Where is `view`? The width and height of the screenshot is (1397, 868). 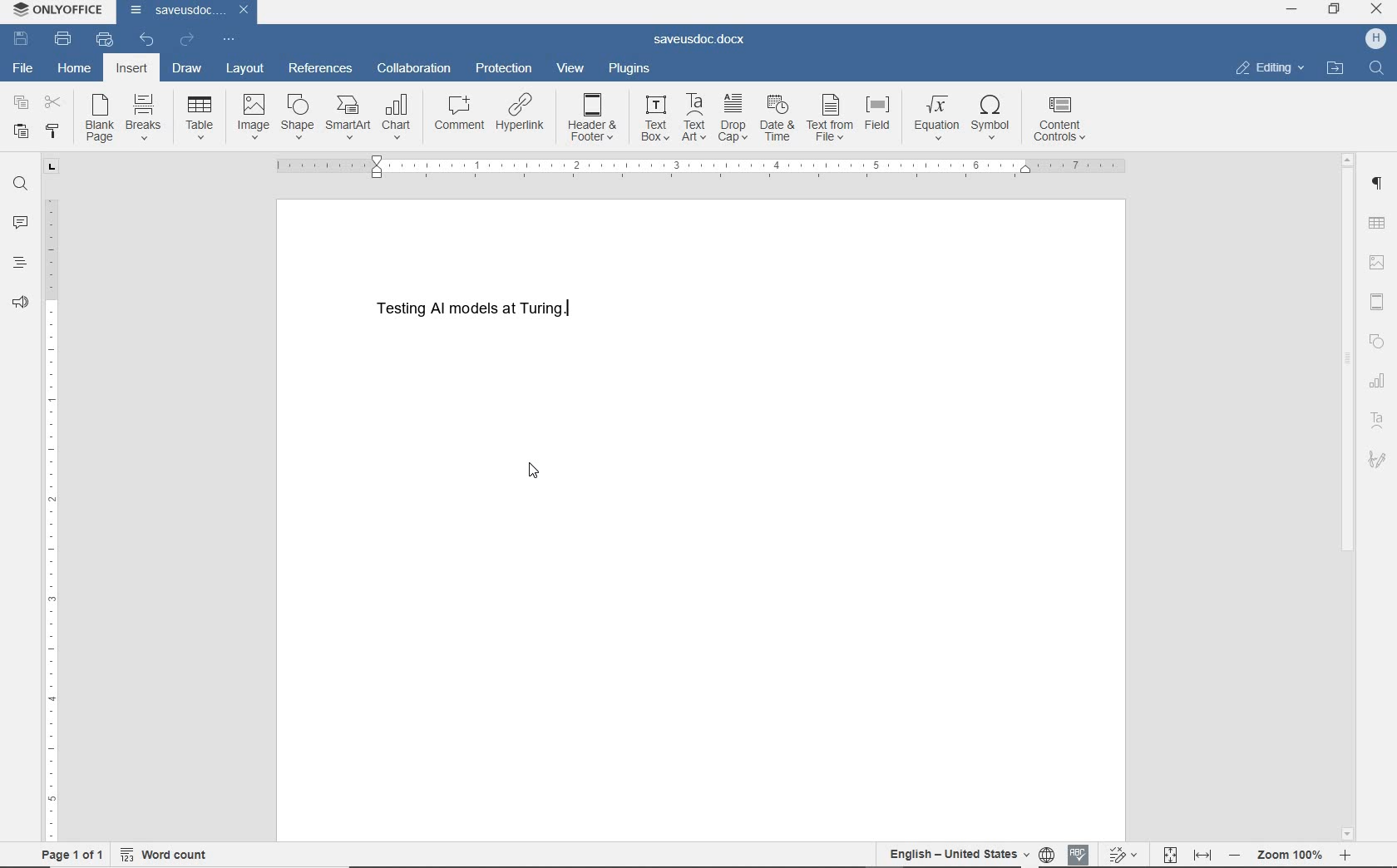 view is located at coordinates (570, 67).